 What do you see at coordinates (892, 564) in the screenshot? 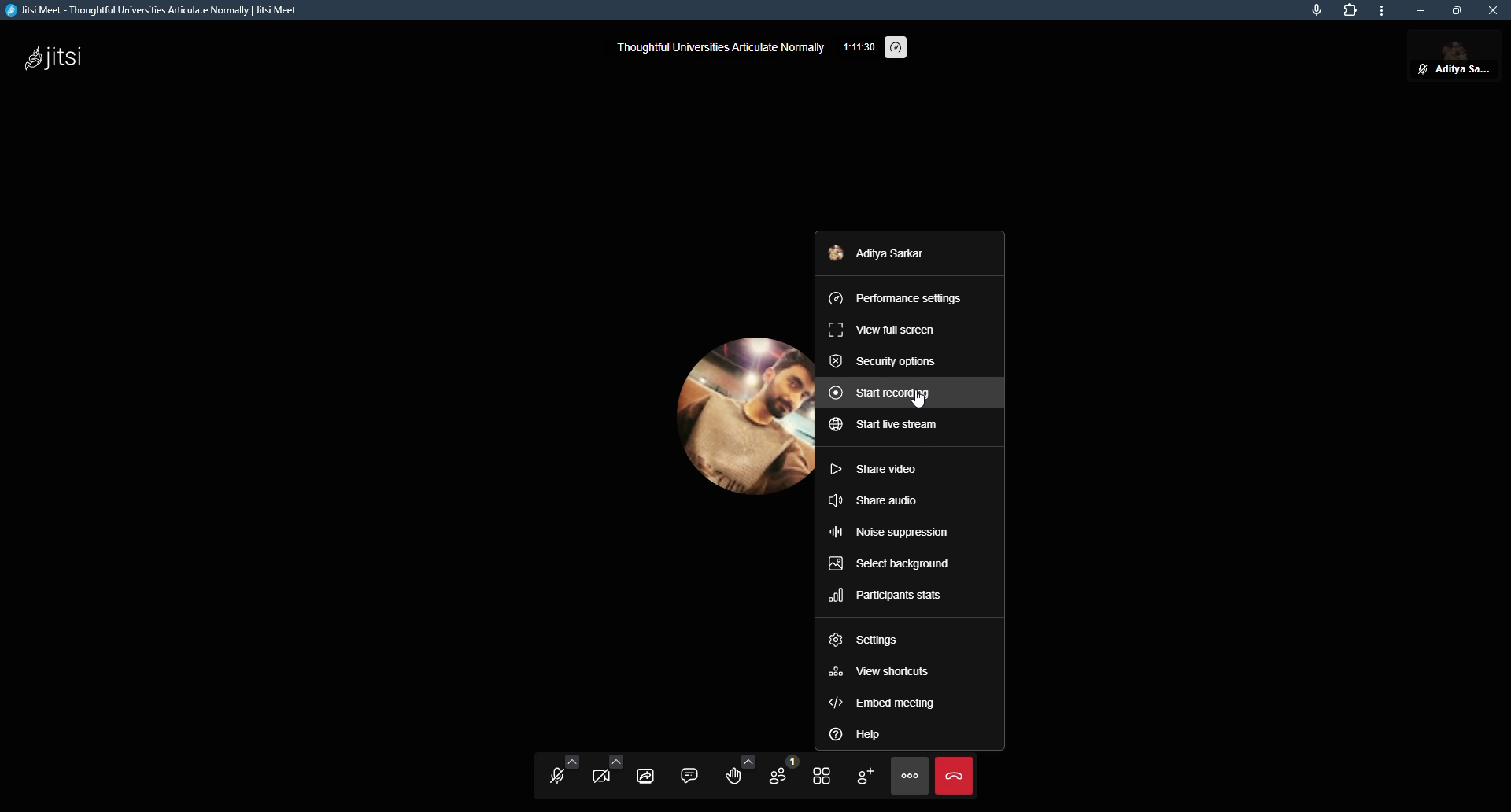
I see `select background` at bounding box center [892, 564].